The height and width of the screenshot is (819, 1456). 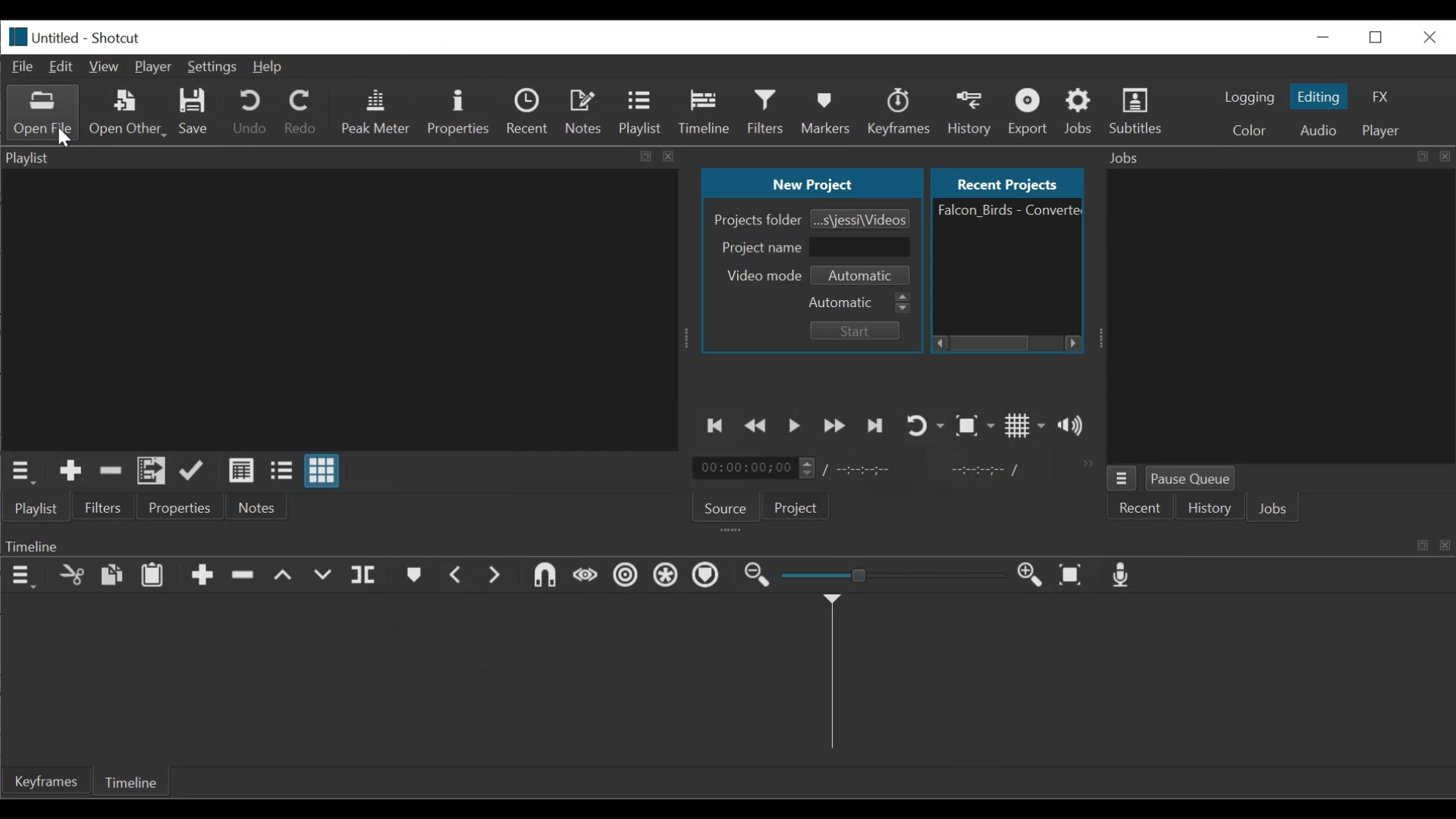 I want to click on Jobs, so click(x=1277, y=510).